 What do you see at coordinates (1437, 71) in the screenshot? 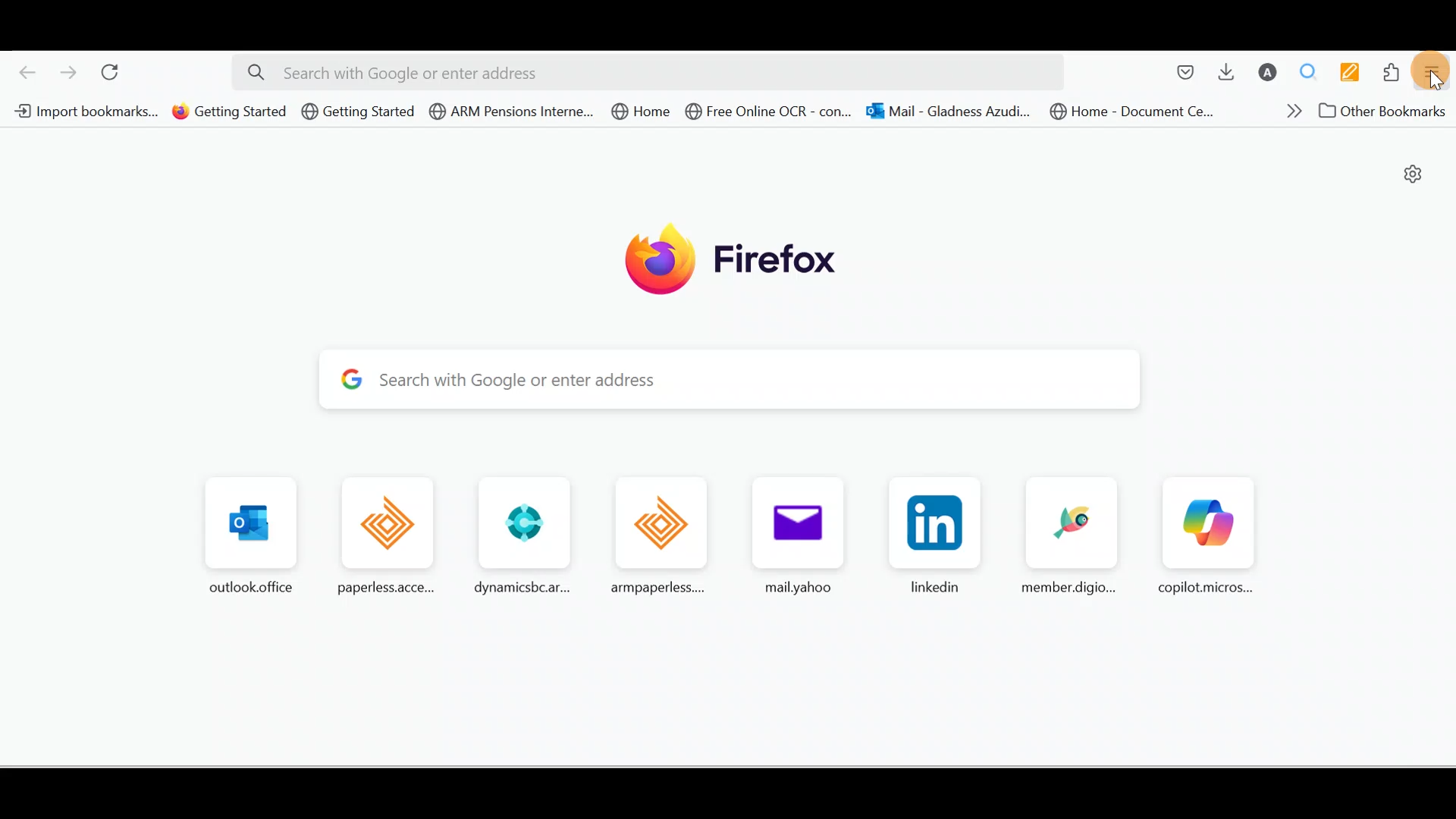
I see `Open application menu` at bounding box center [1437, 71].